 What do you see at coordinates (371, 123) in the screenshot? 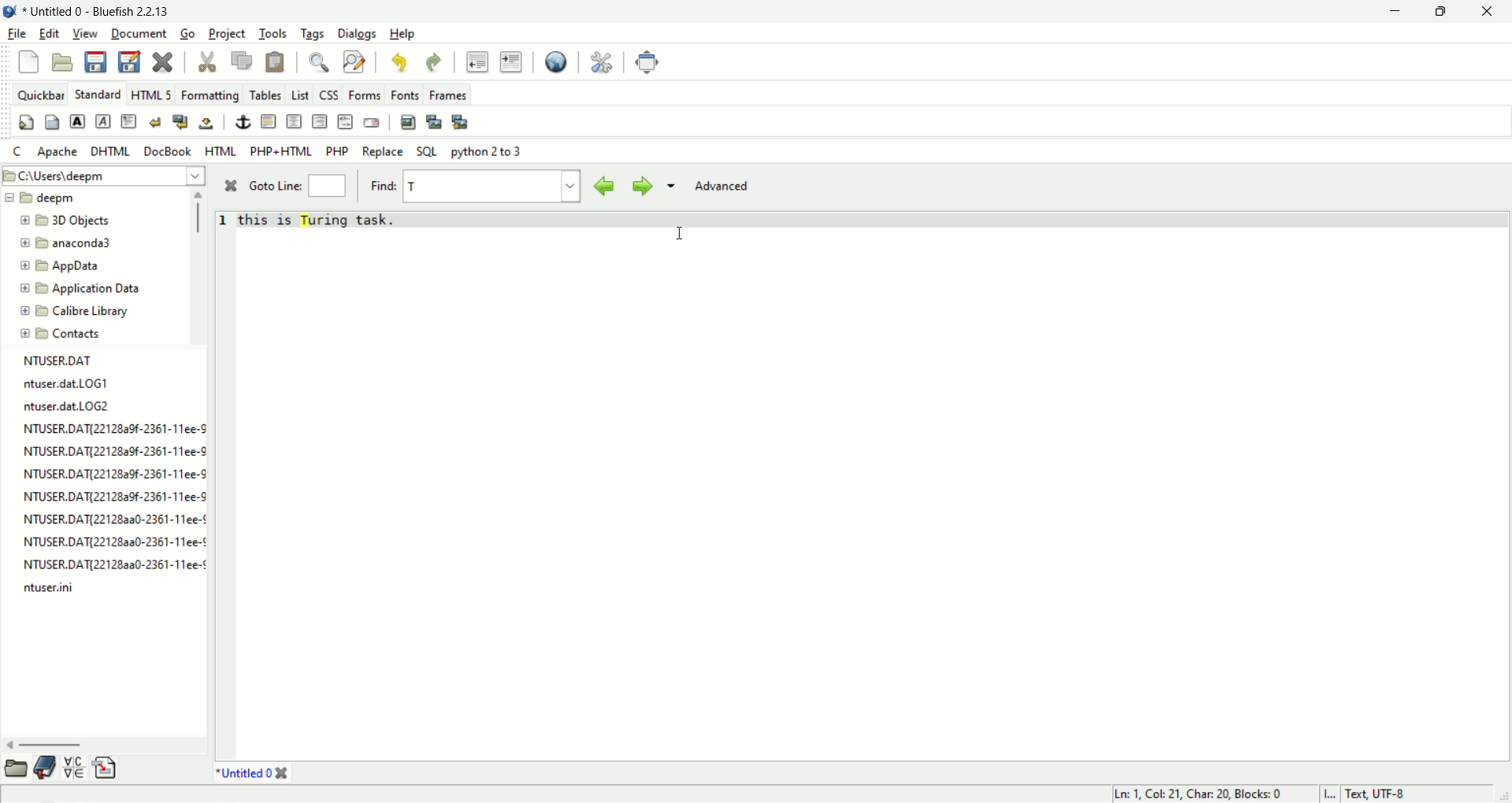
I see `email` at bounding box center [371, 123].